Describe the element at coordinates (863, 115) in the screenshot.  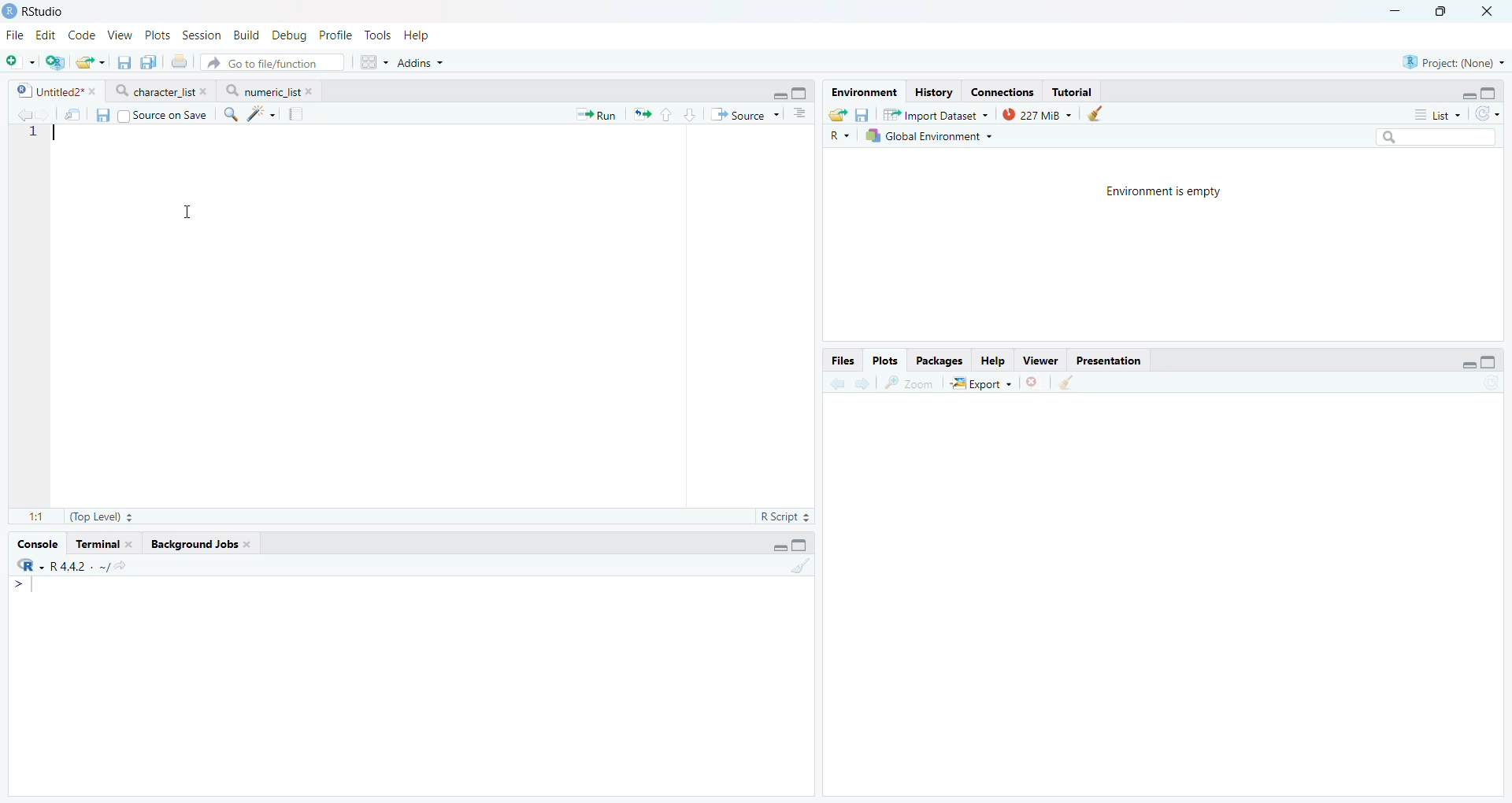
I see `Save` at that location.